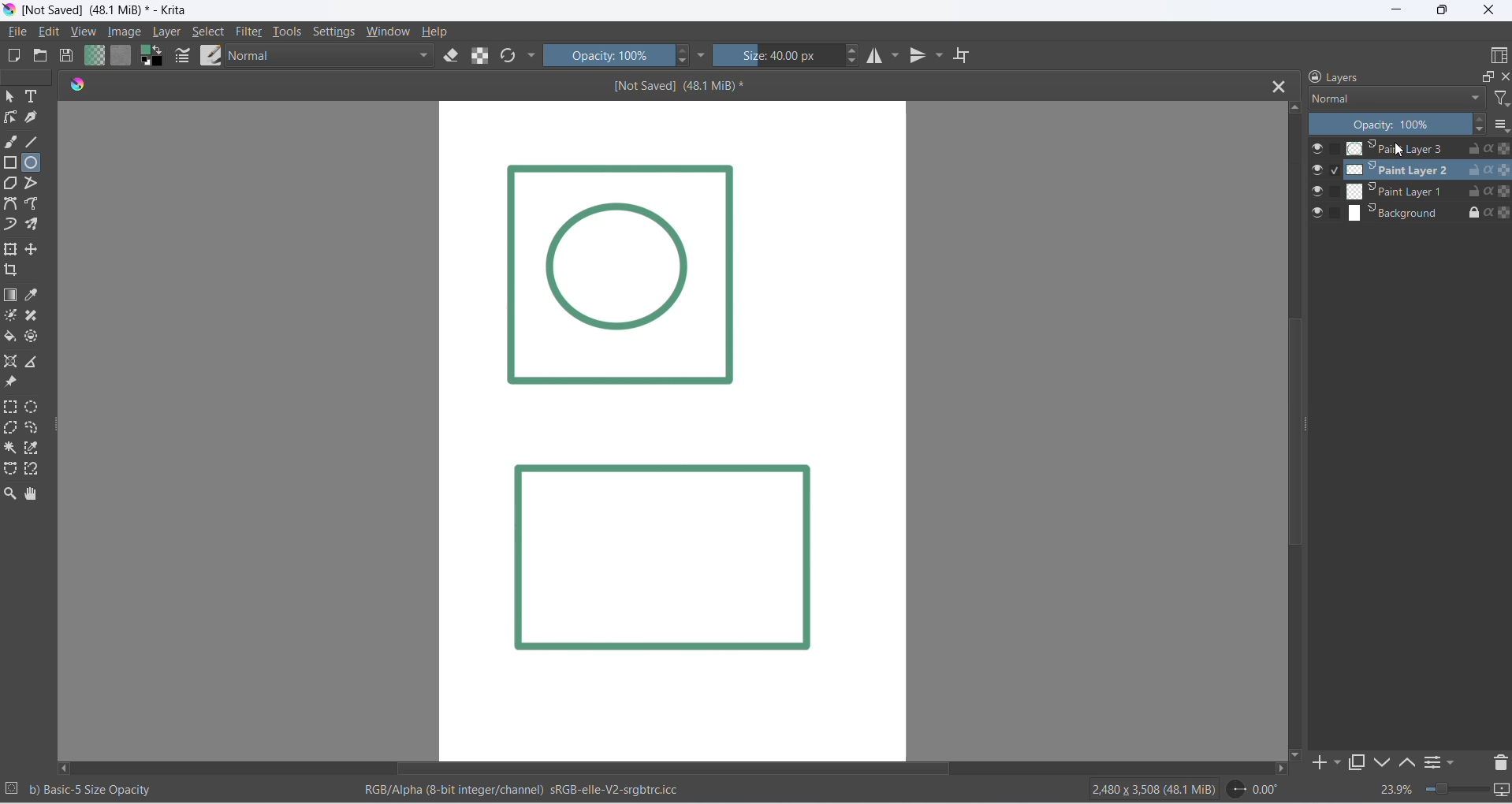  I want to click on paint layer 1, so click(1395, 169).